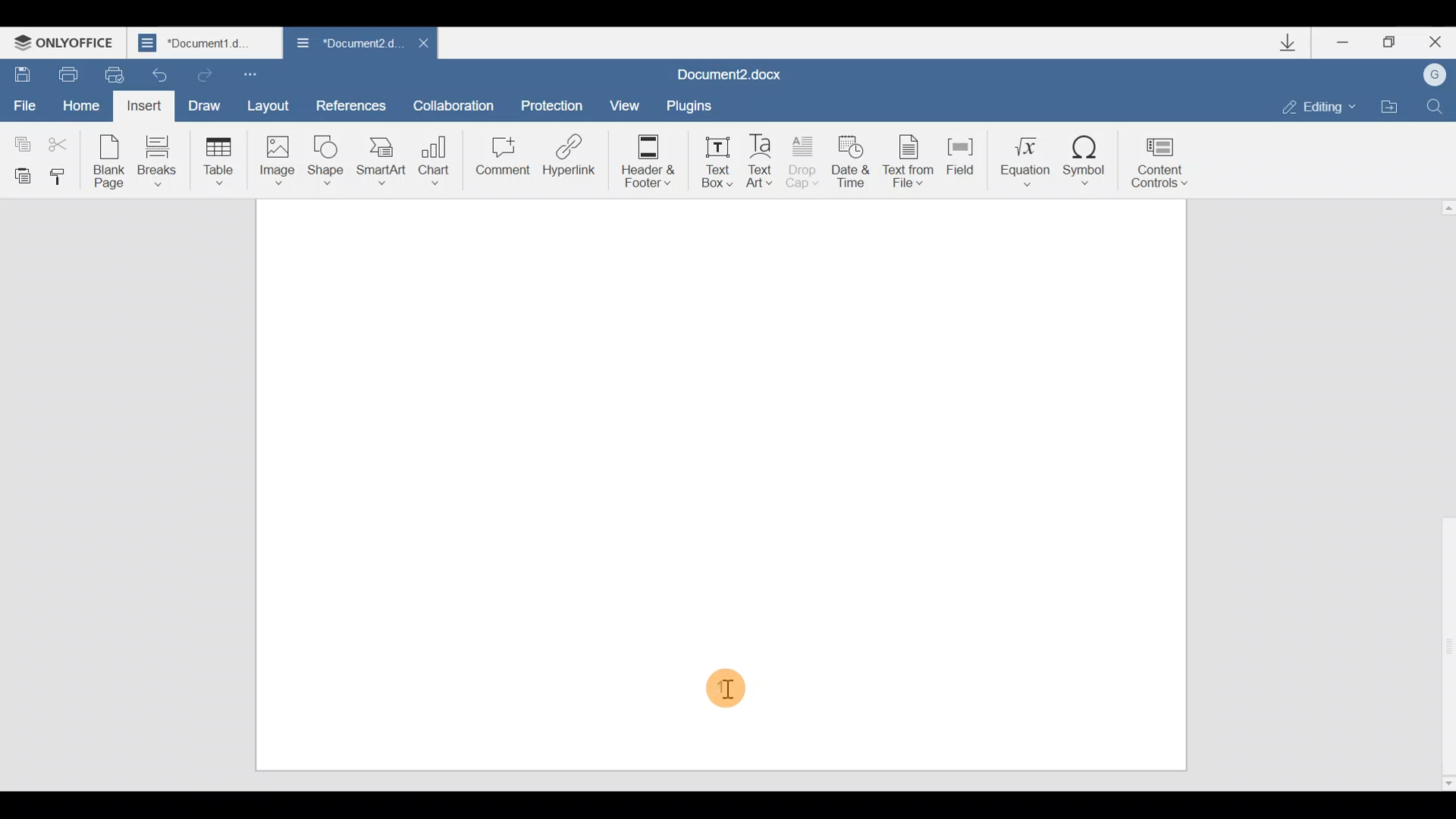 This screenshot has width=1456, height=819. What do you see at coordinates (328, 158) in the screenshot?
I see `Shape` at bounding box center [328, 158].